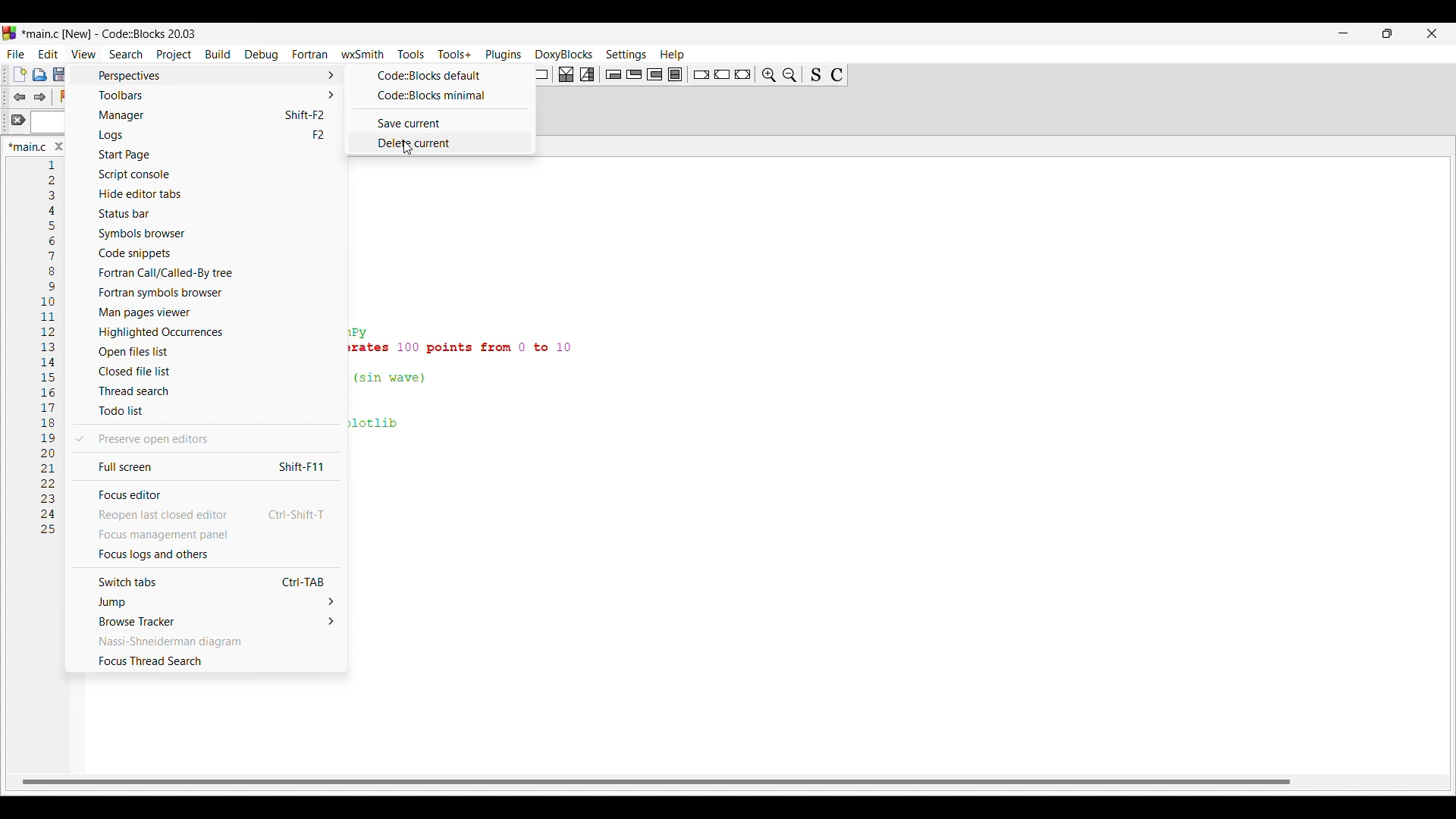  I want to click on codeblock logo, so click(12, 33).